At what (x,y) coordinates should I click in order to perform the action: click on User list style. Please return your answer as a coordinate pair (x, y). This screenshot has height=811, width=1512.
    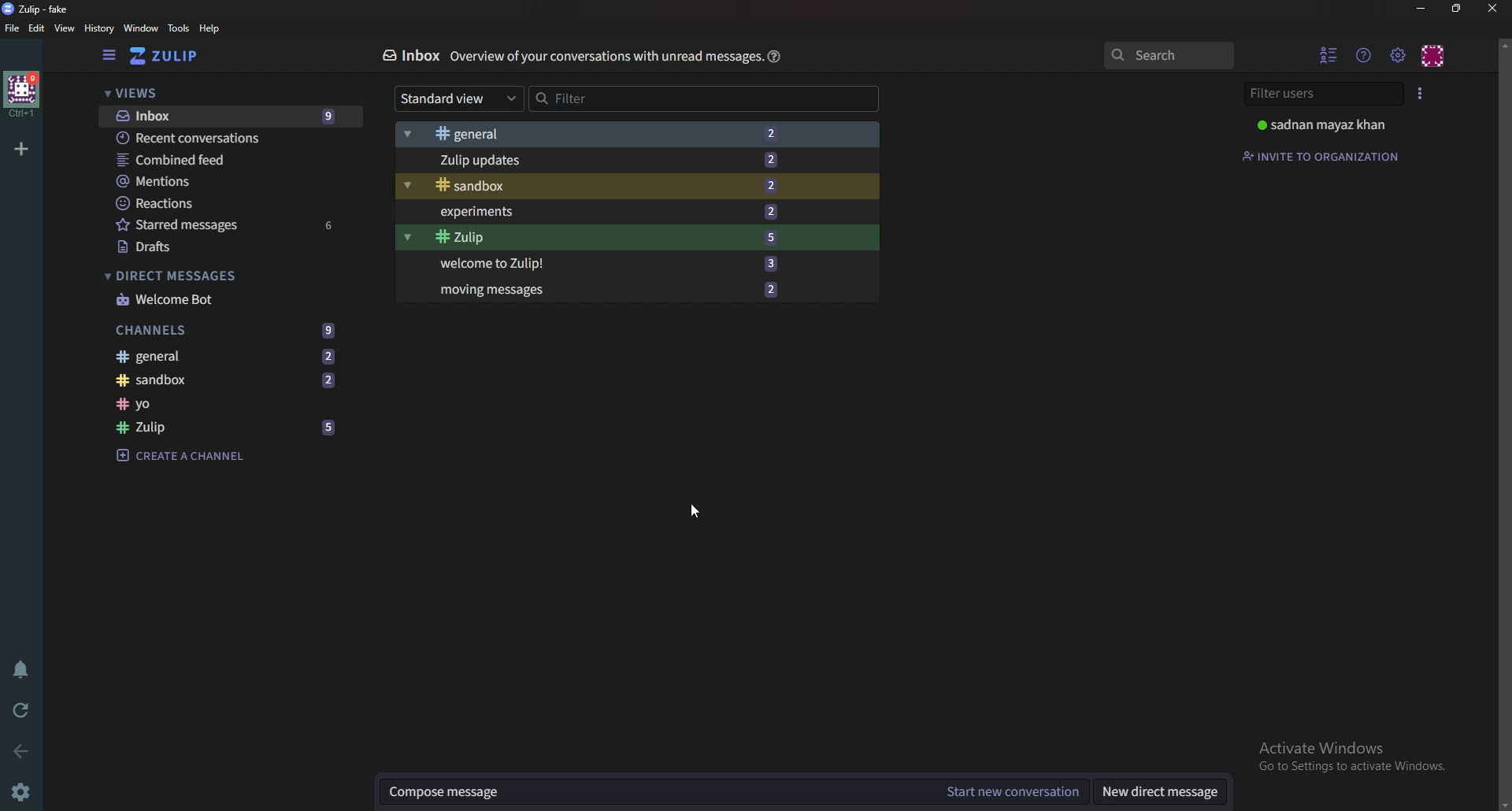
    Looking at the image, I should click on (1420, 93).